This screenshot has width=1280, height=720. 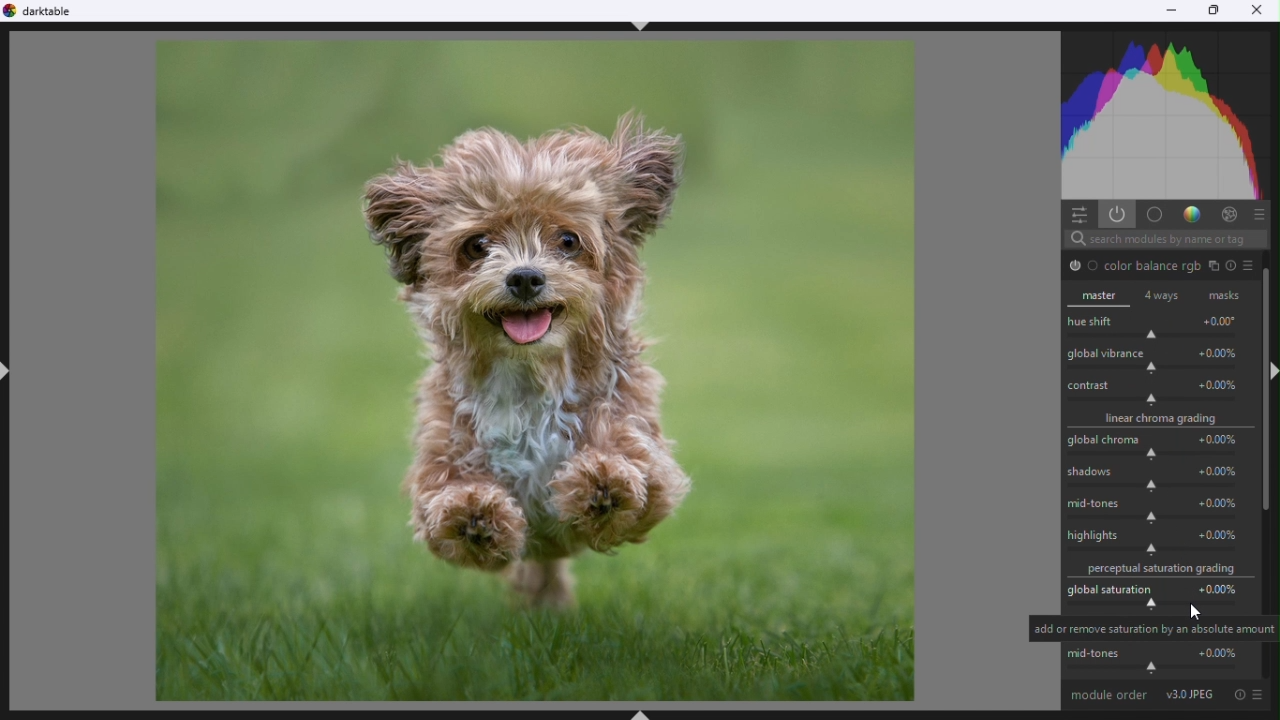 I want to click on preset, so click(x=1259, y=699).